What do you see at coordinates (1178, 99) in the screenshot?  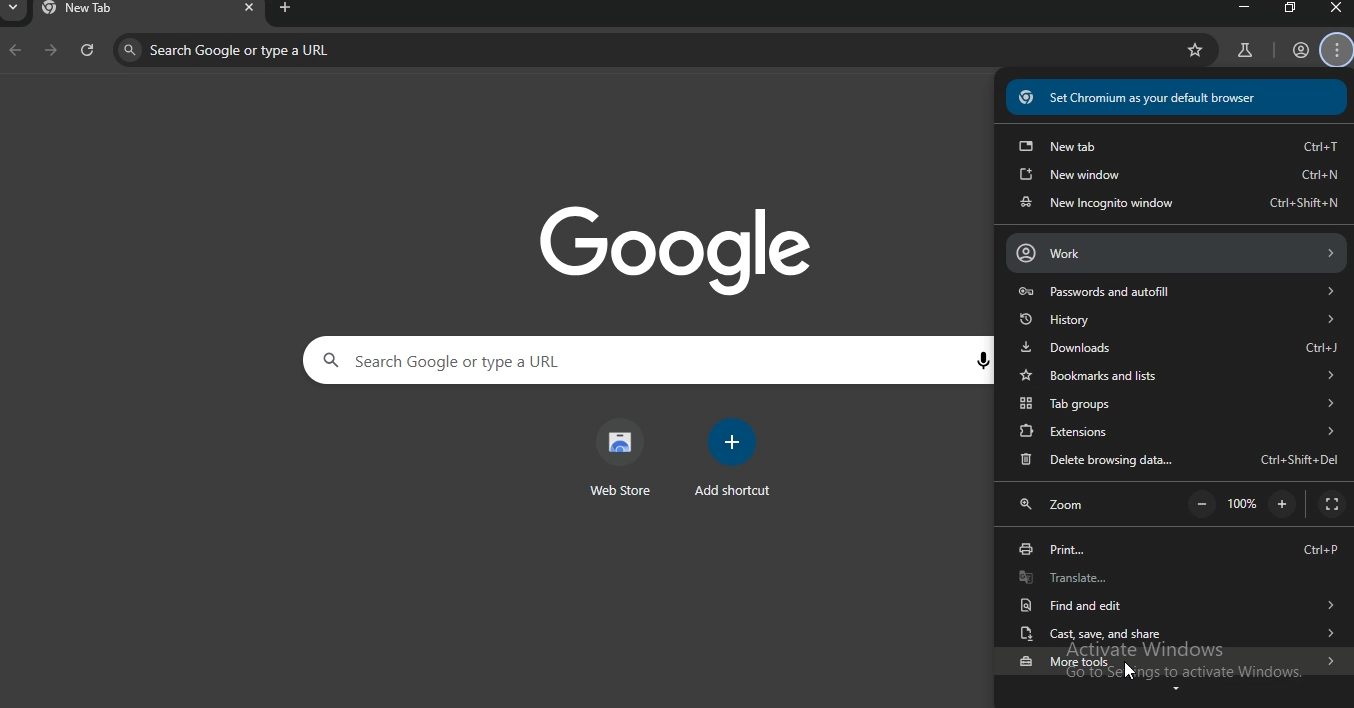 I see `set chromium as your default browser` at bounding box center [1178, 99].